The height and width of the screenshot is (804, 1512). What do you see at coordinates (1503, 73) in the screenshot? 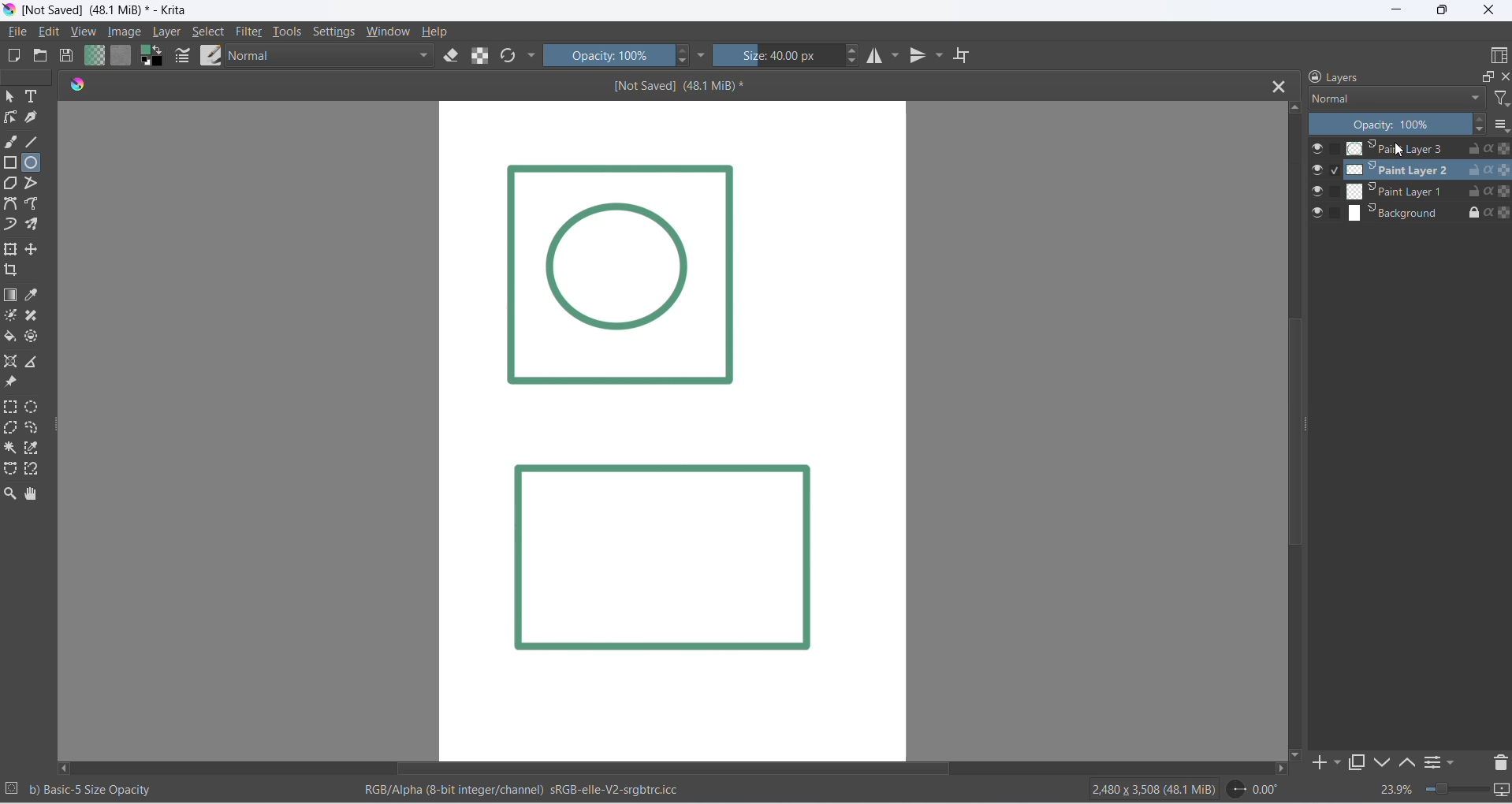
I see `close` at bounding box center [1503, 73].